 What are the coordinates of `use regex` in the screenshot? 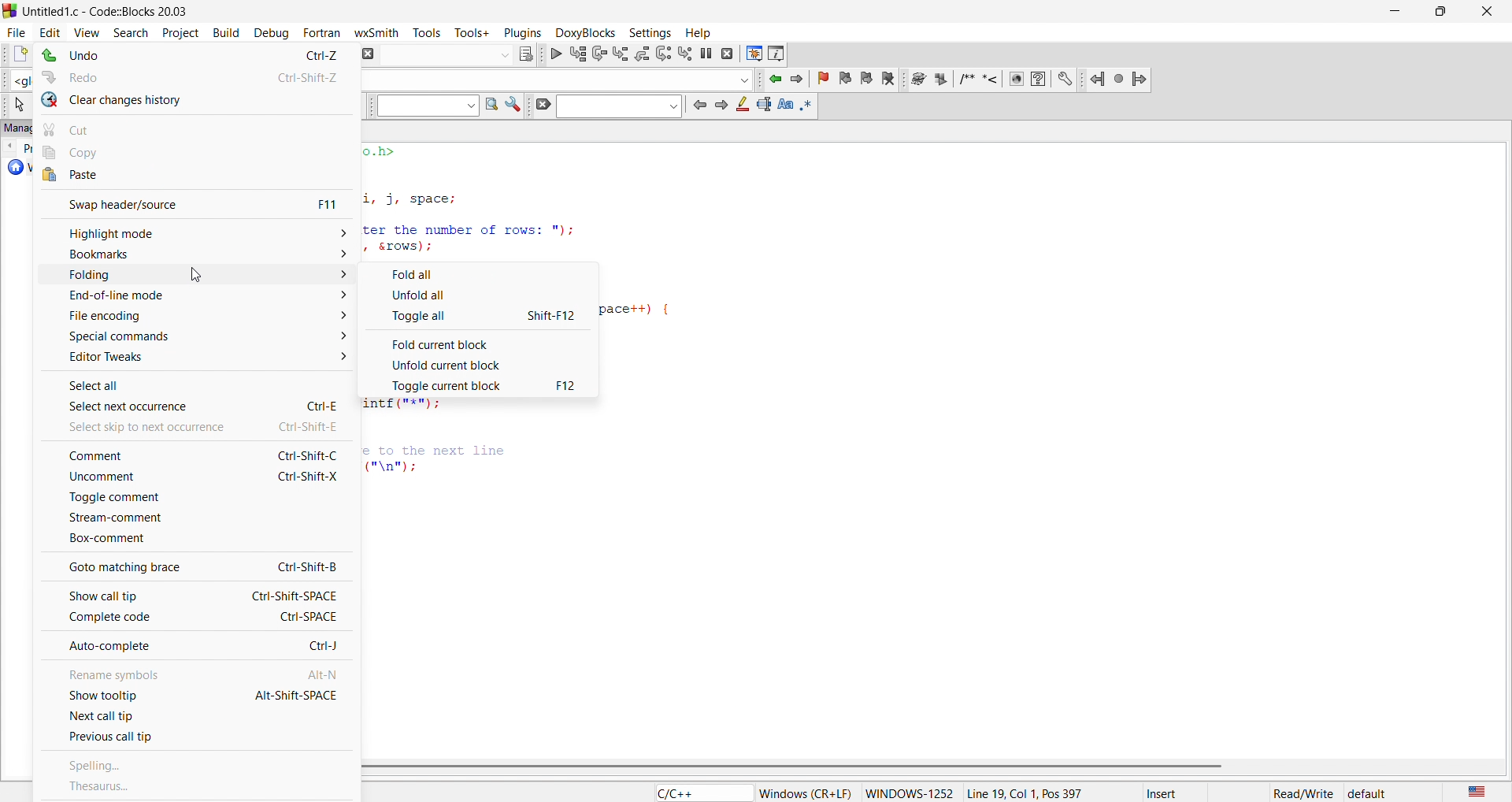 It's located at (808, 104).